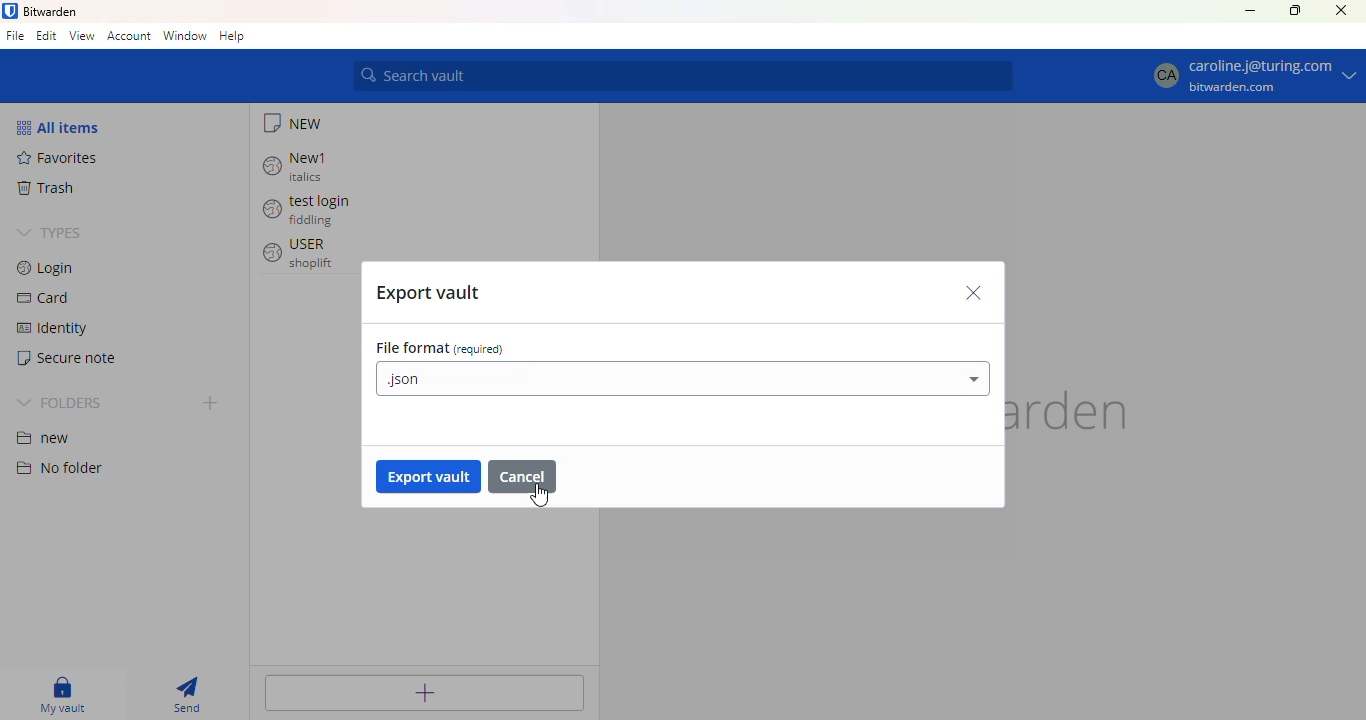 This screenshot has width=1366, height=720. I want to click on New1    italics, so click(298, 166).